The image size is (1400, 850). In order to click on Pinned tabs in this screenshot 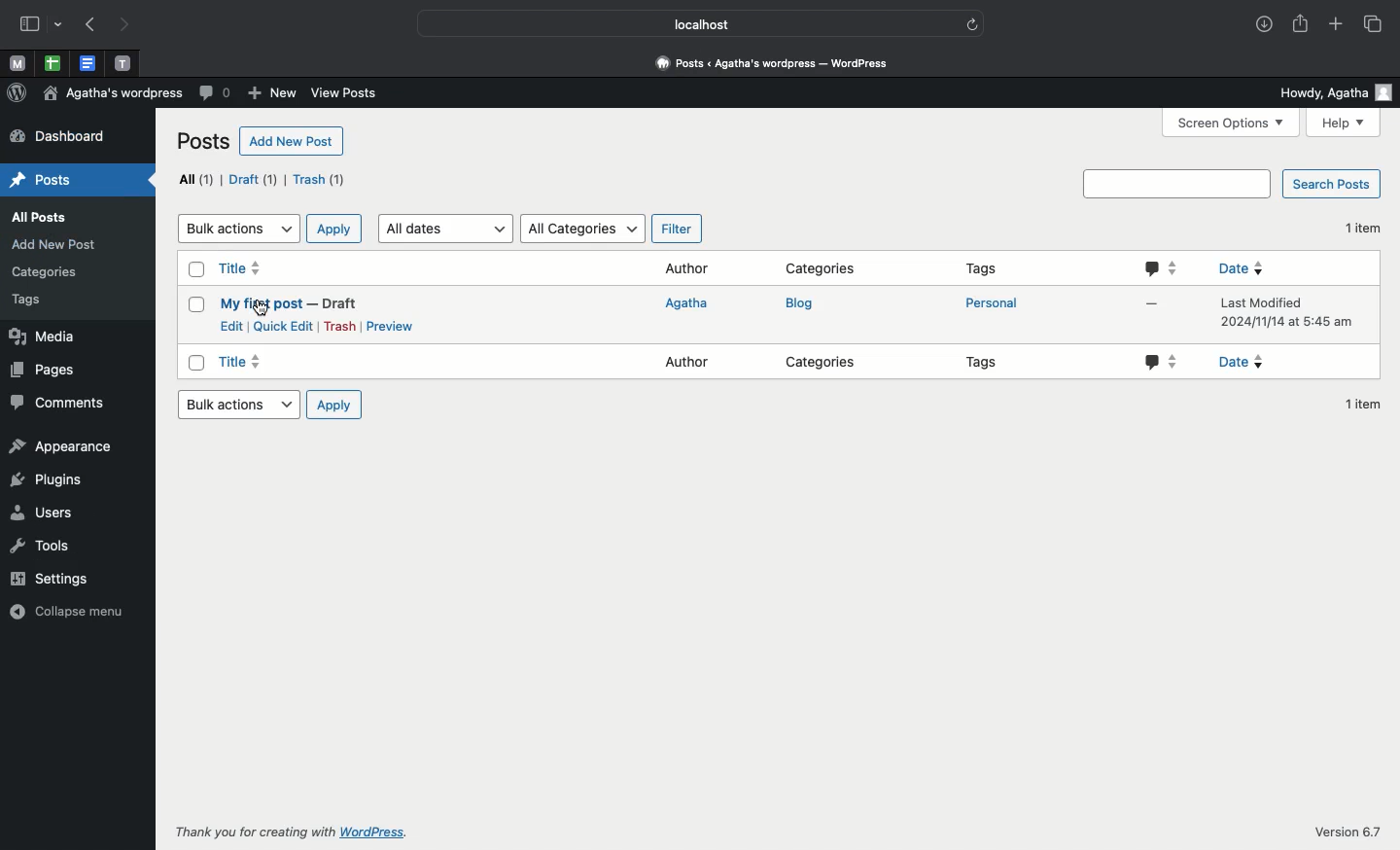, I will do `click(18, 63)`.